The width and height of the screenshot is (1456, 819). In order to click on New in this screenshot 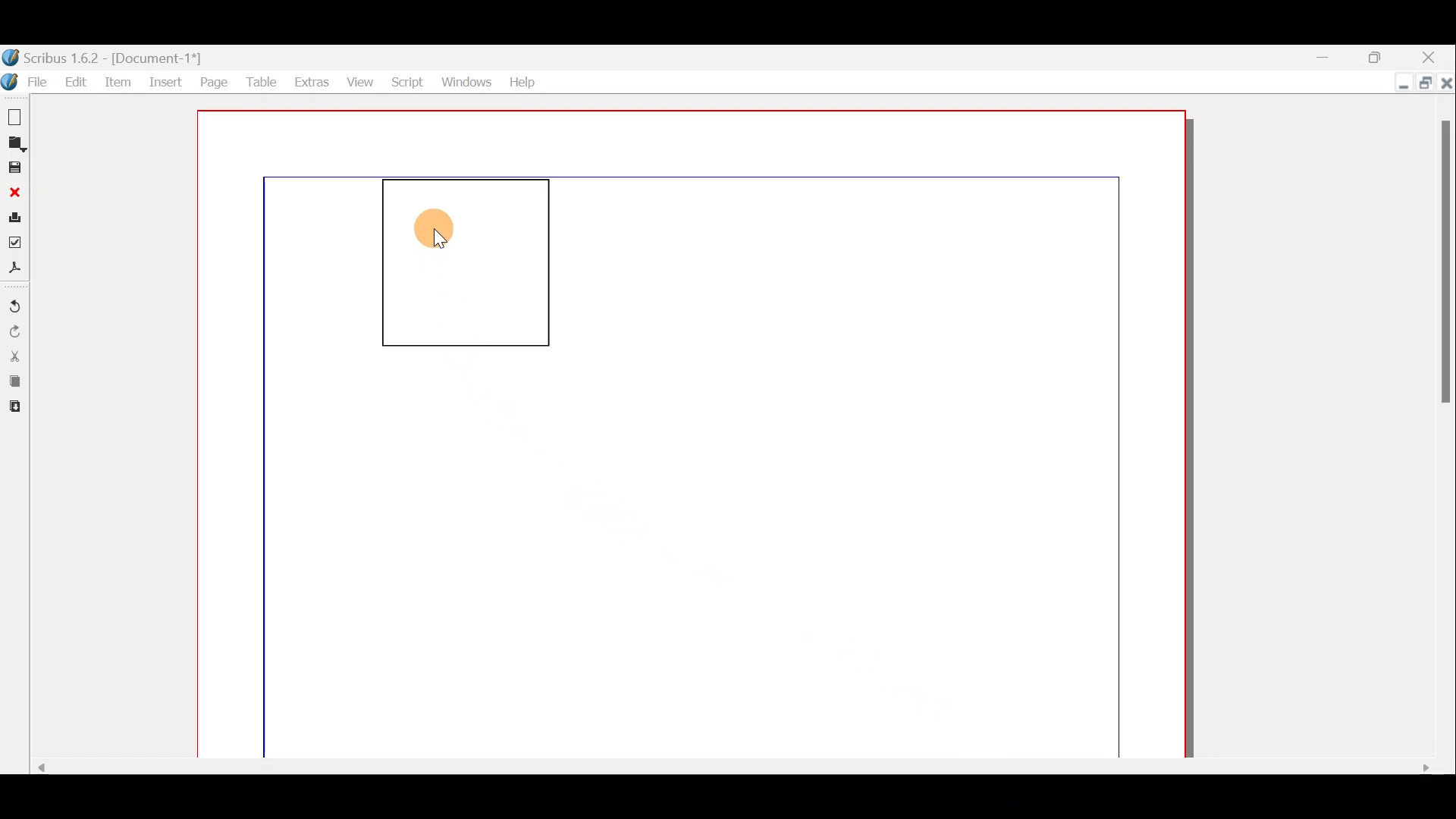, I will do `click(13, 115)`.